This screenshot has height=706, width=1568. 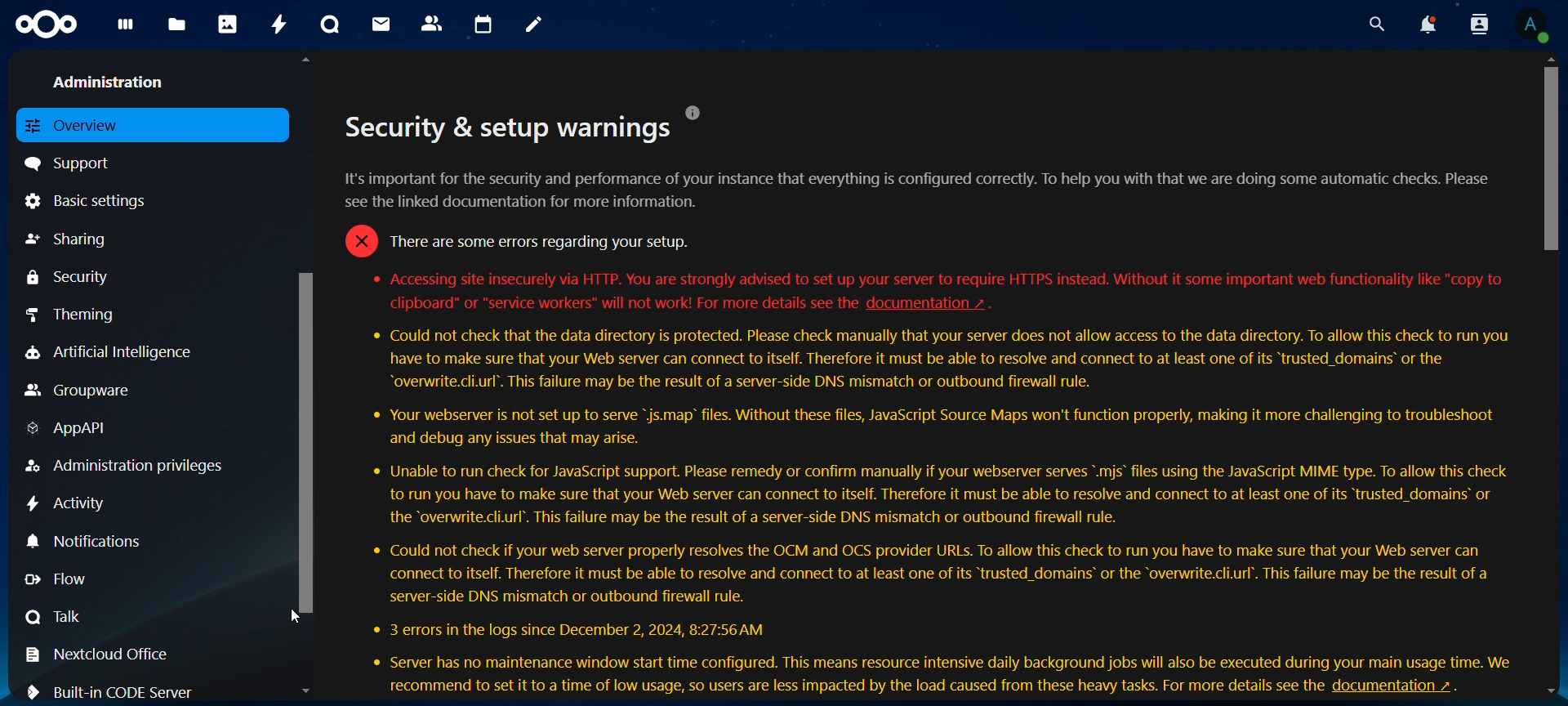 I want to click on basic settings, so click(x=91, y=200).